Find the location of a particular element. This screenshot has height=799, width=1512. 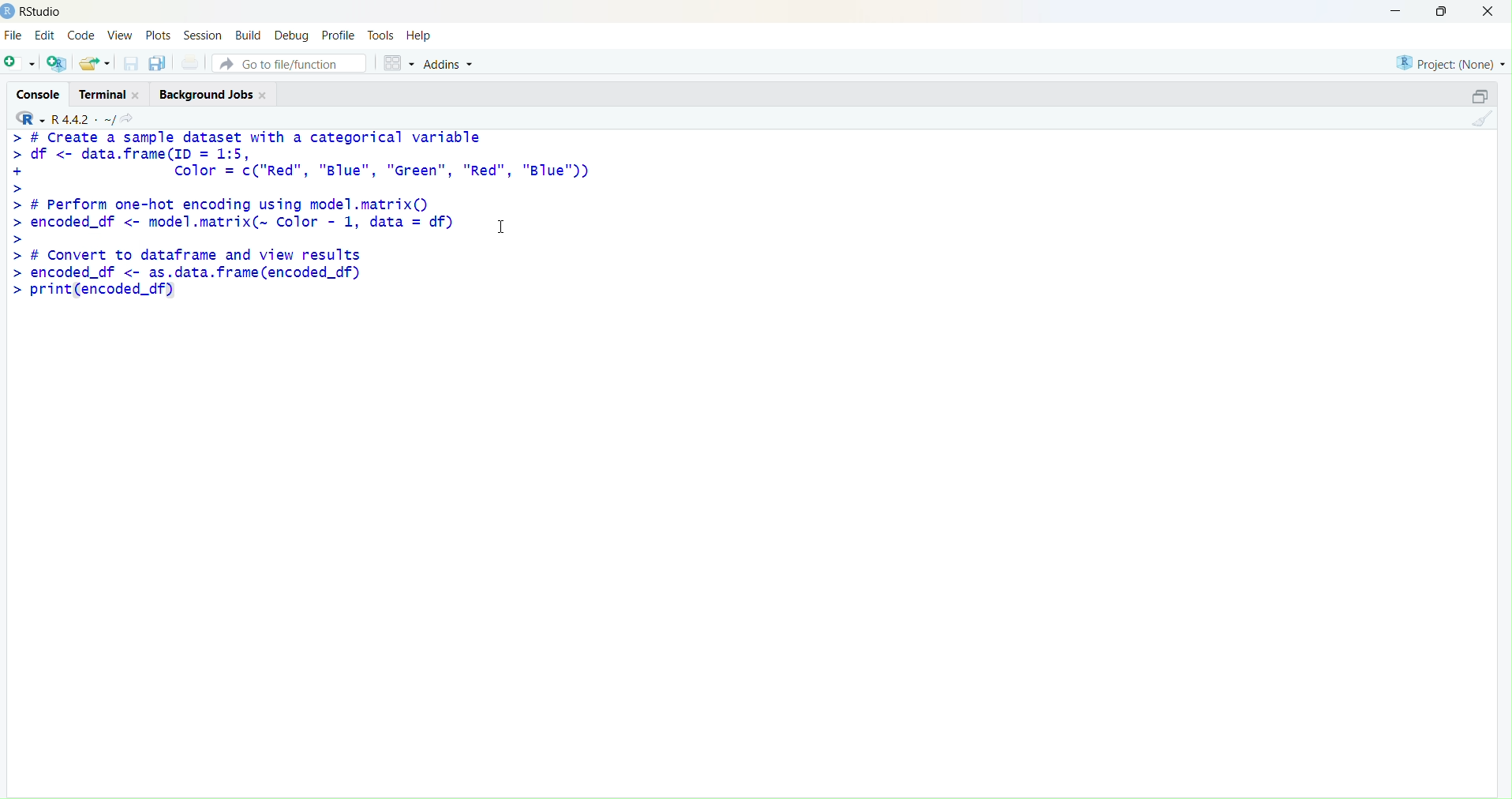

grid is located at coordinates (399, 63).